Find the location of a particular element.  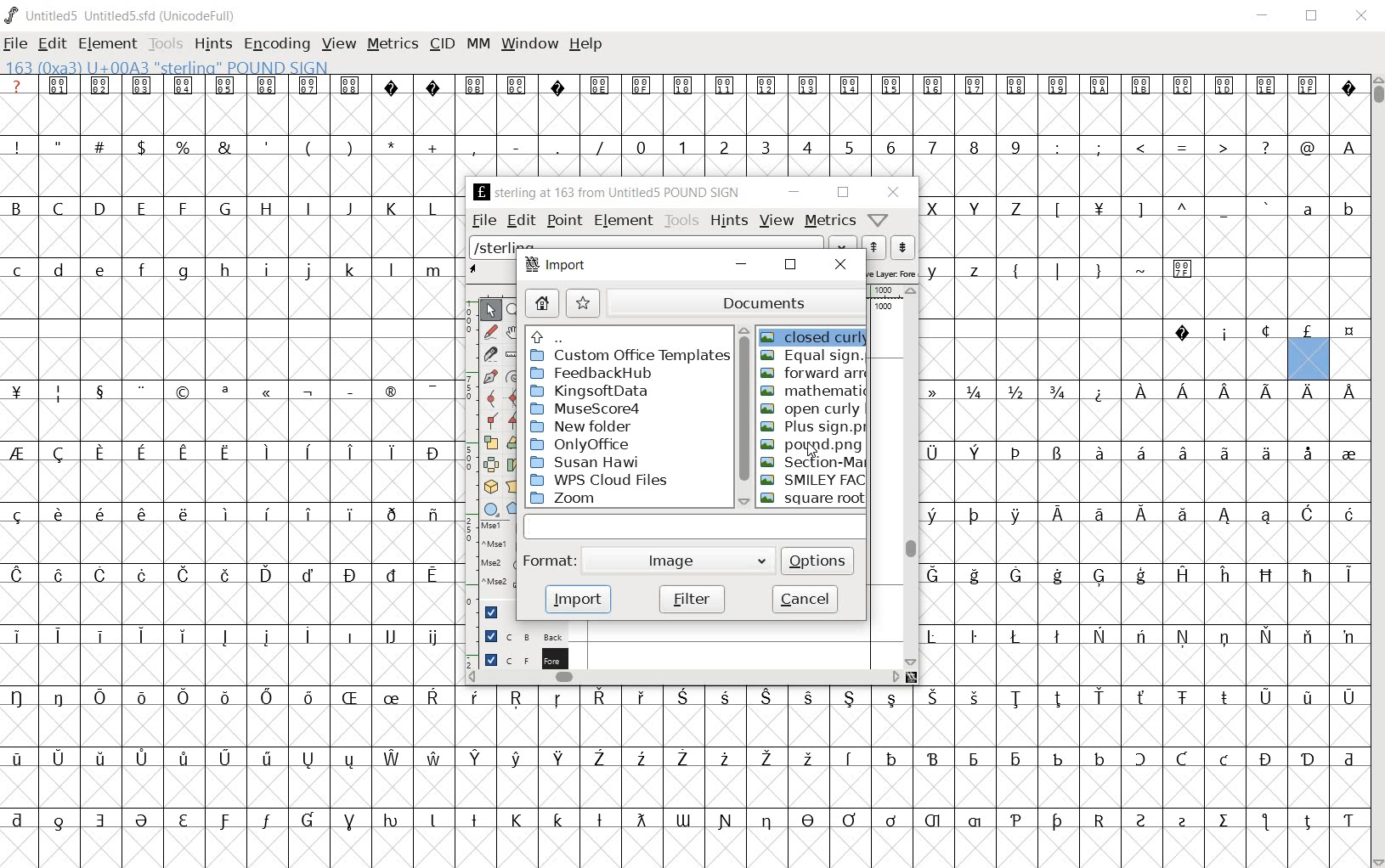

Symbol is located at coordinates (61, 85).